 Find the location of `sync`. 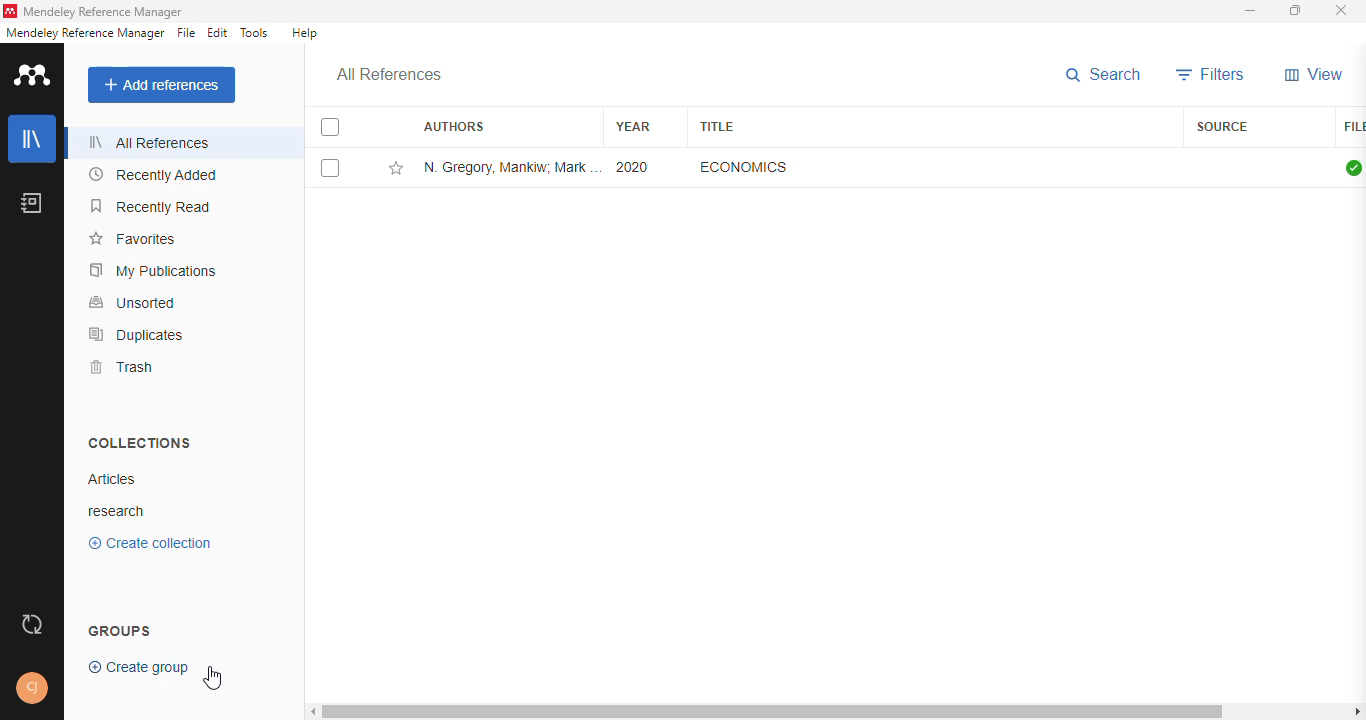

sync is located at coordinates (33, 625).